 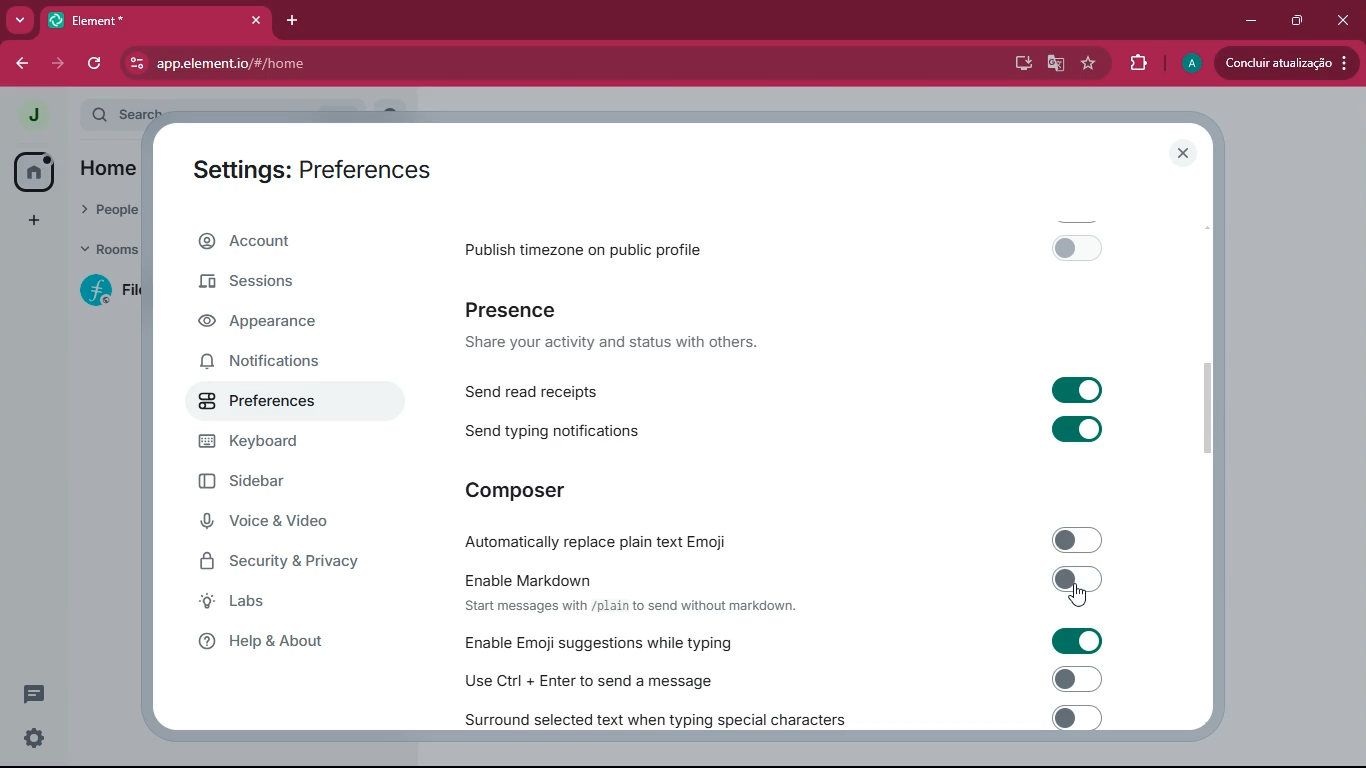 What do you see at coordinates (353, 64) in the screenshot?
I see `url` at bounding box center [353, 64].